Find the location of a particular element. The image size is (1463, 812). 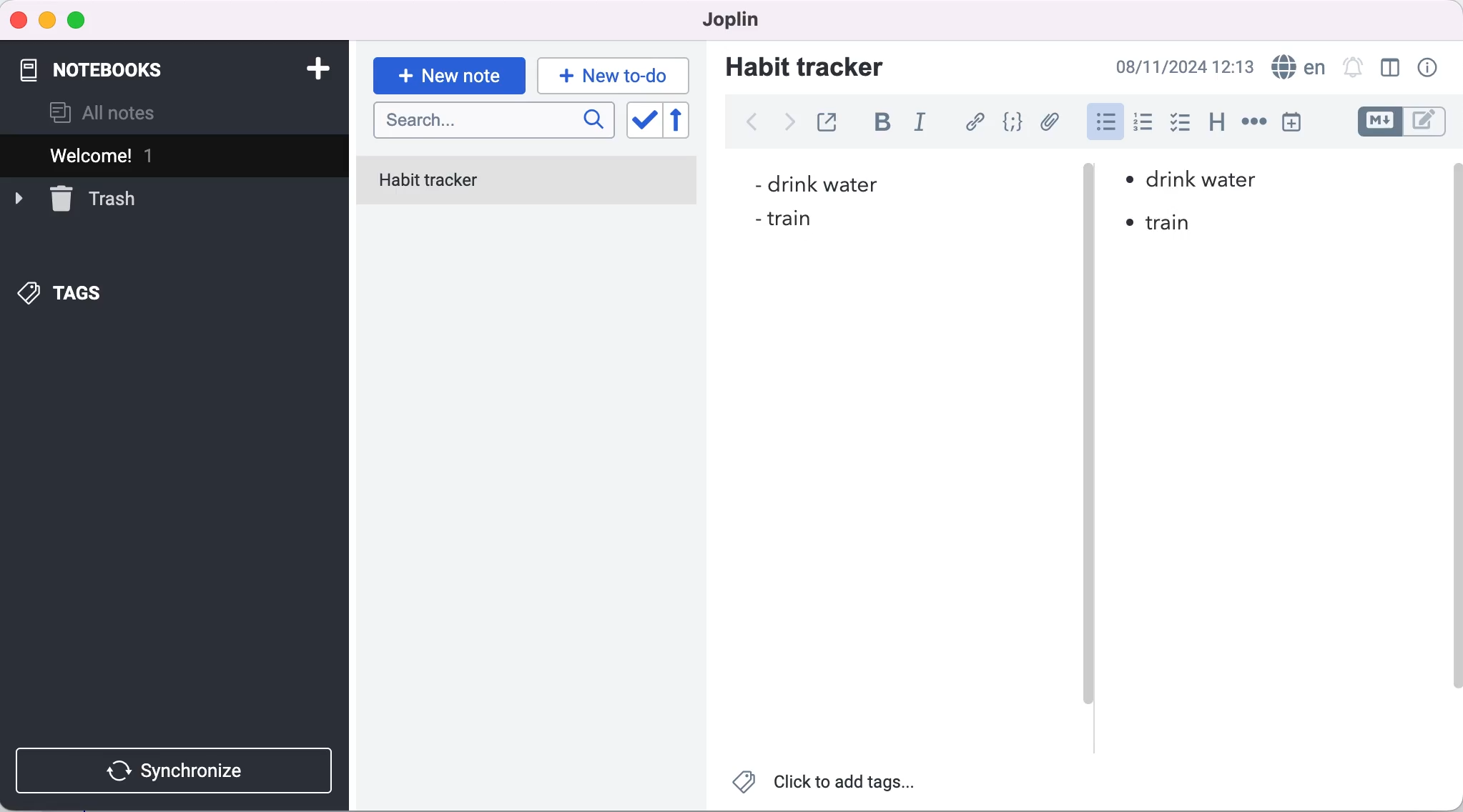

trash is located at coordinates (75, 197).